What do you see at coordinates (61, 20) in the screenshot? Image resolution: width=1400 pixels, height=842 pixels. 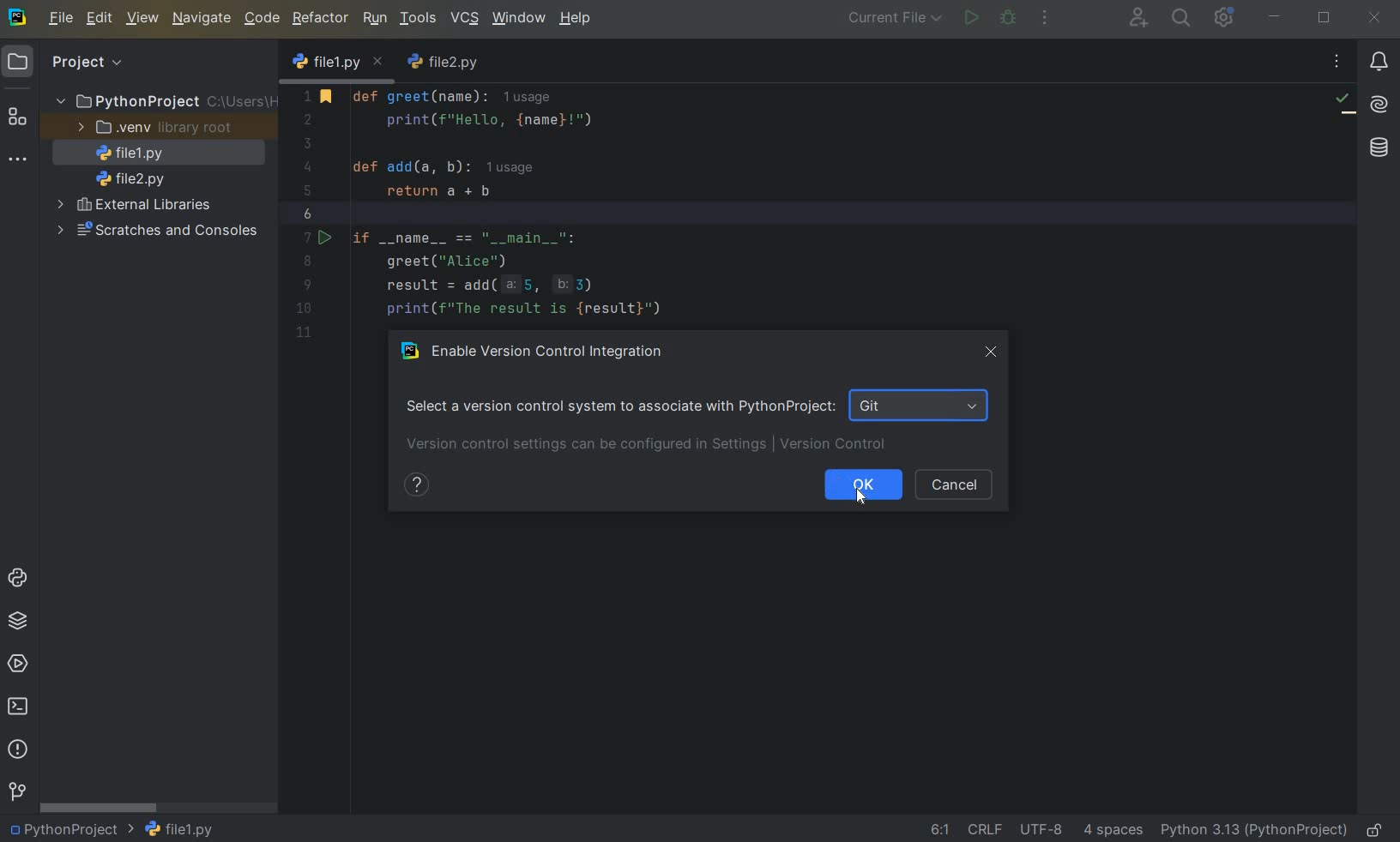 I see `file` at bounding box center [61, 20].